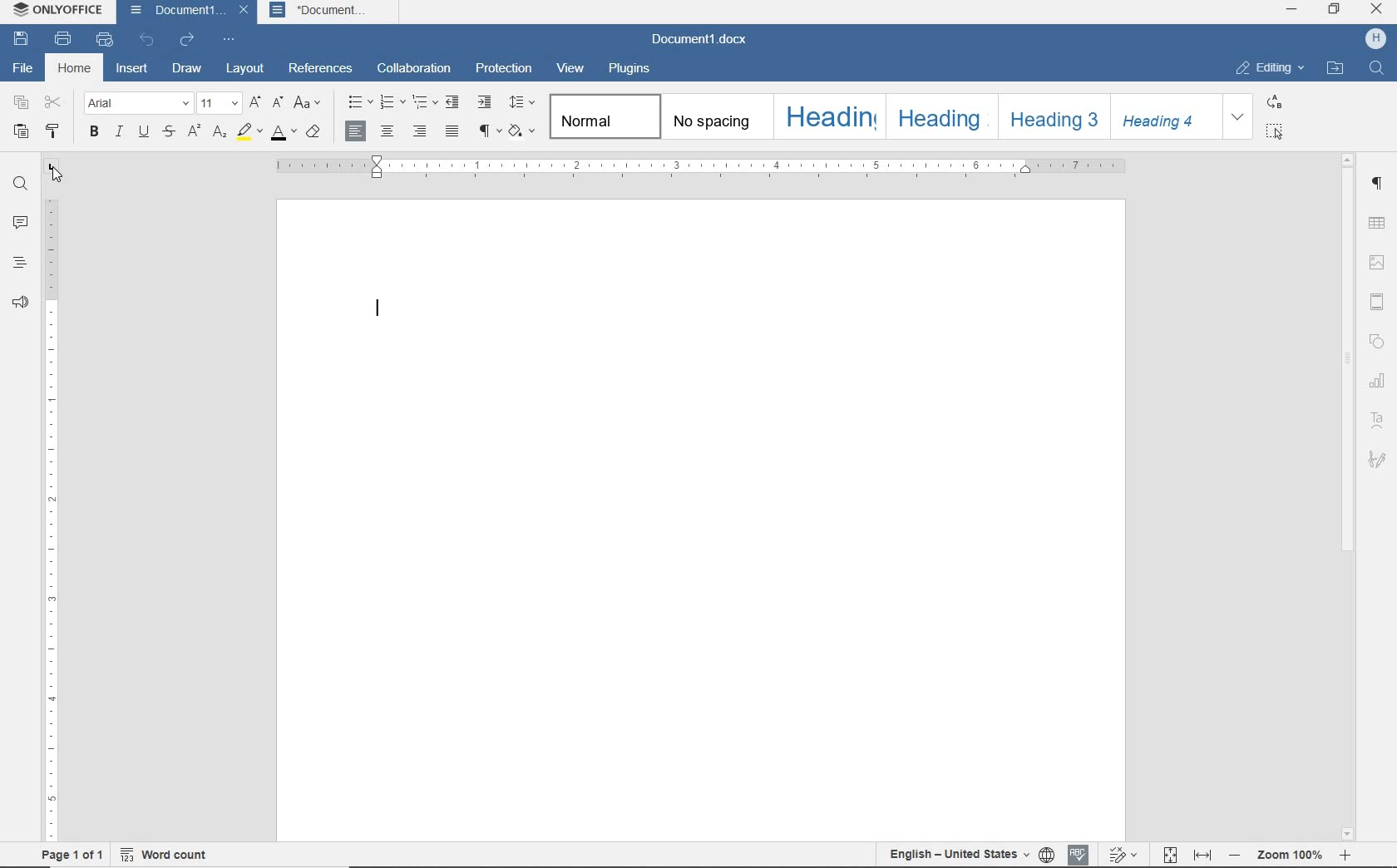 The image size is (1397, 868). I want to click on SAVE, so click(22, 40).